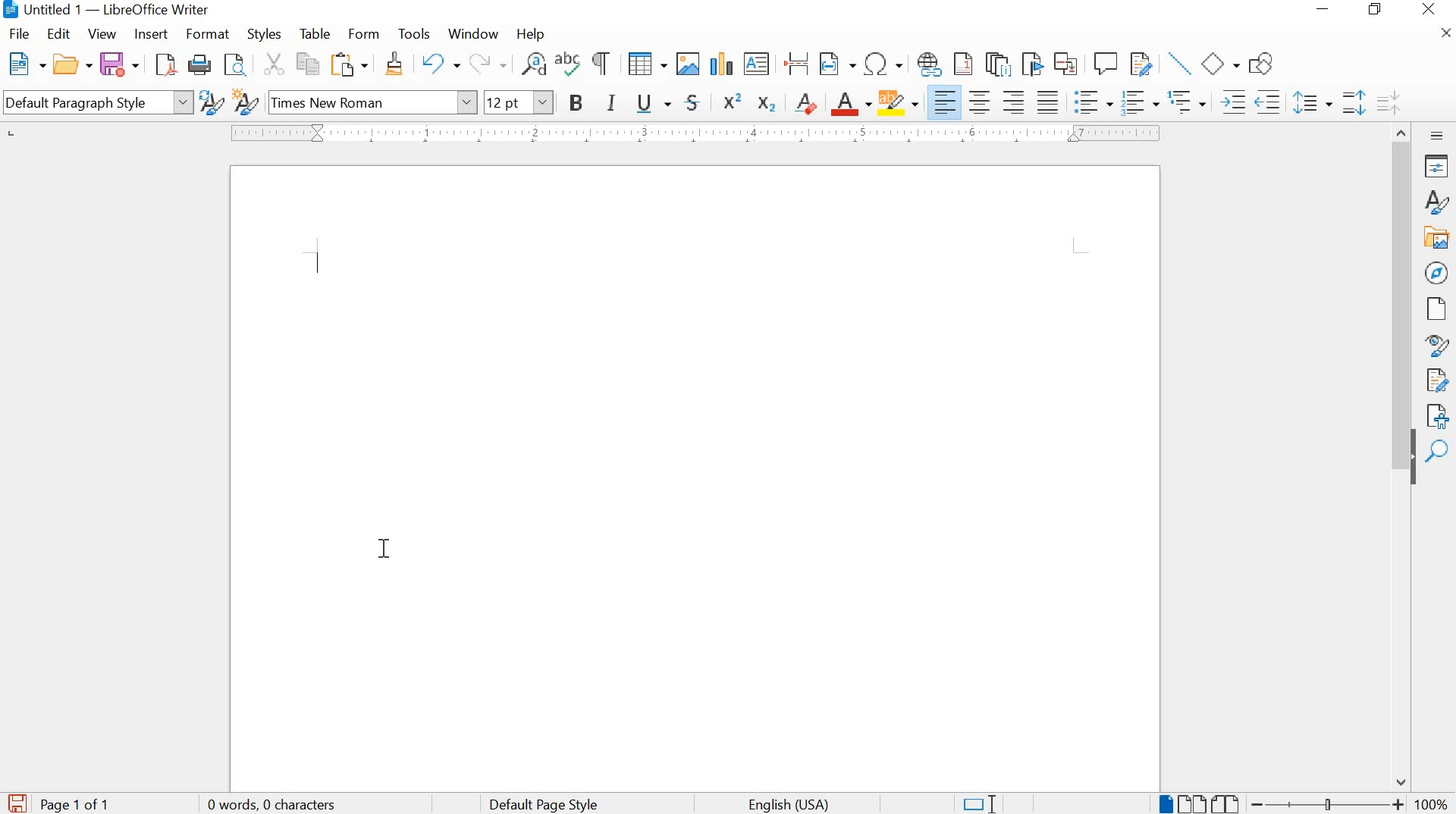 This screenshot has height=814, width=1456. I want to click on CURSOR POSITION AFTER CHANGING TEXT FONT TO TIMES NEW ROMAN, so click(385, 548).